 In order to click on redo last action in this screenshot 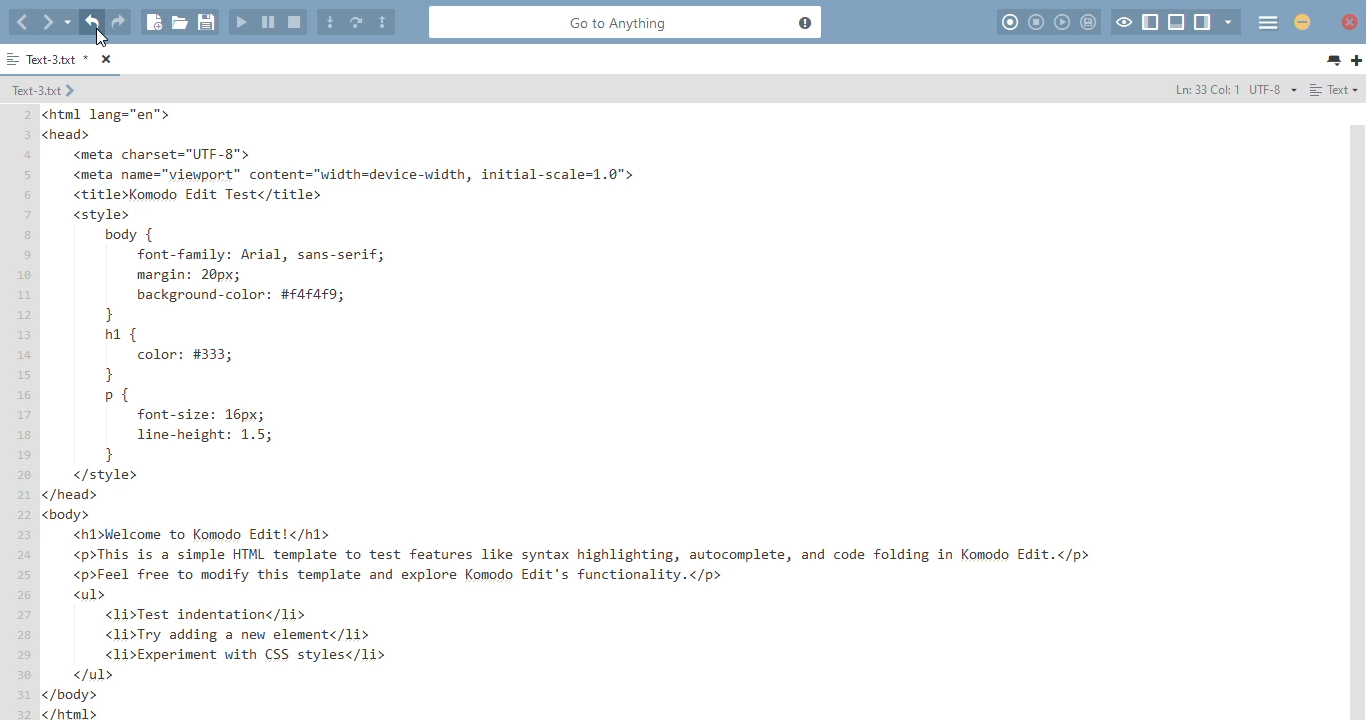, I will do `click(119, 22)`.